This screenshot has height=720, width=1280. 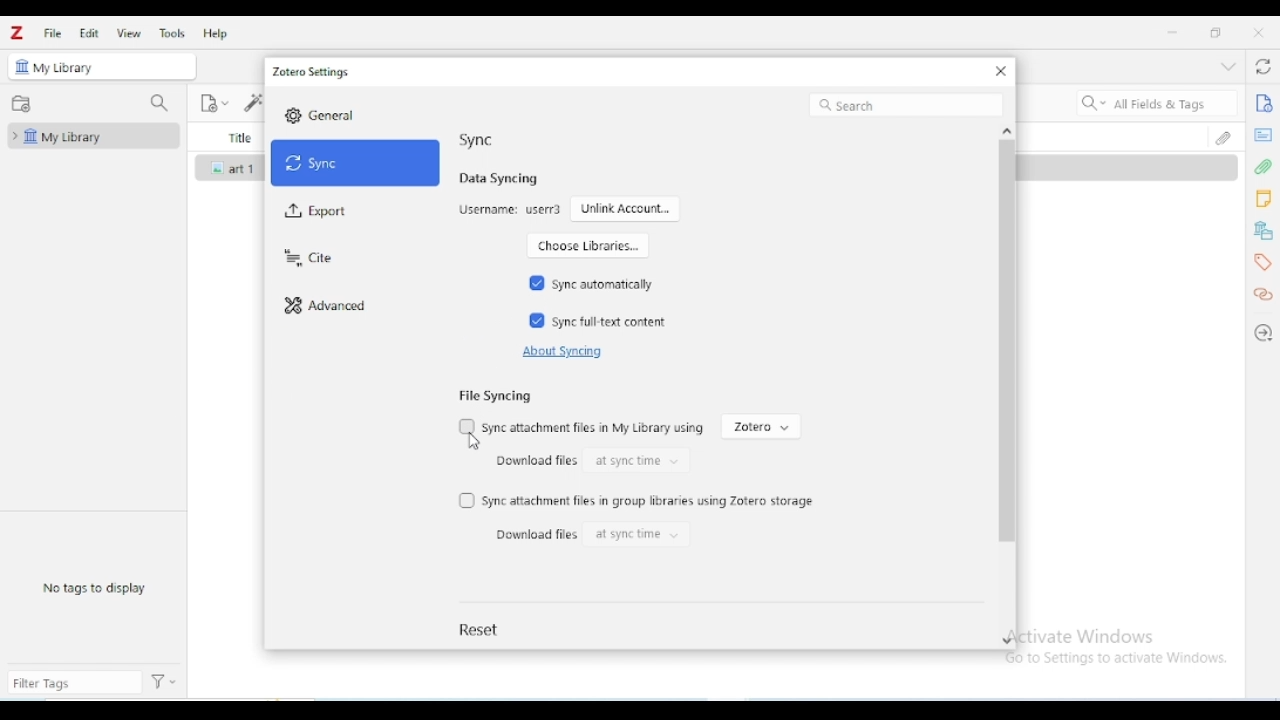 What do you see at coordinates (499, 178) in the screenshot?
I see `data syncing` at bounding box center [499, 178].